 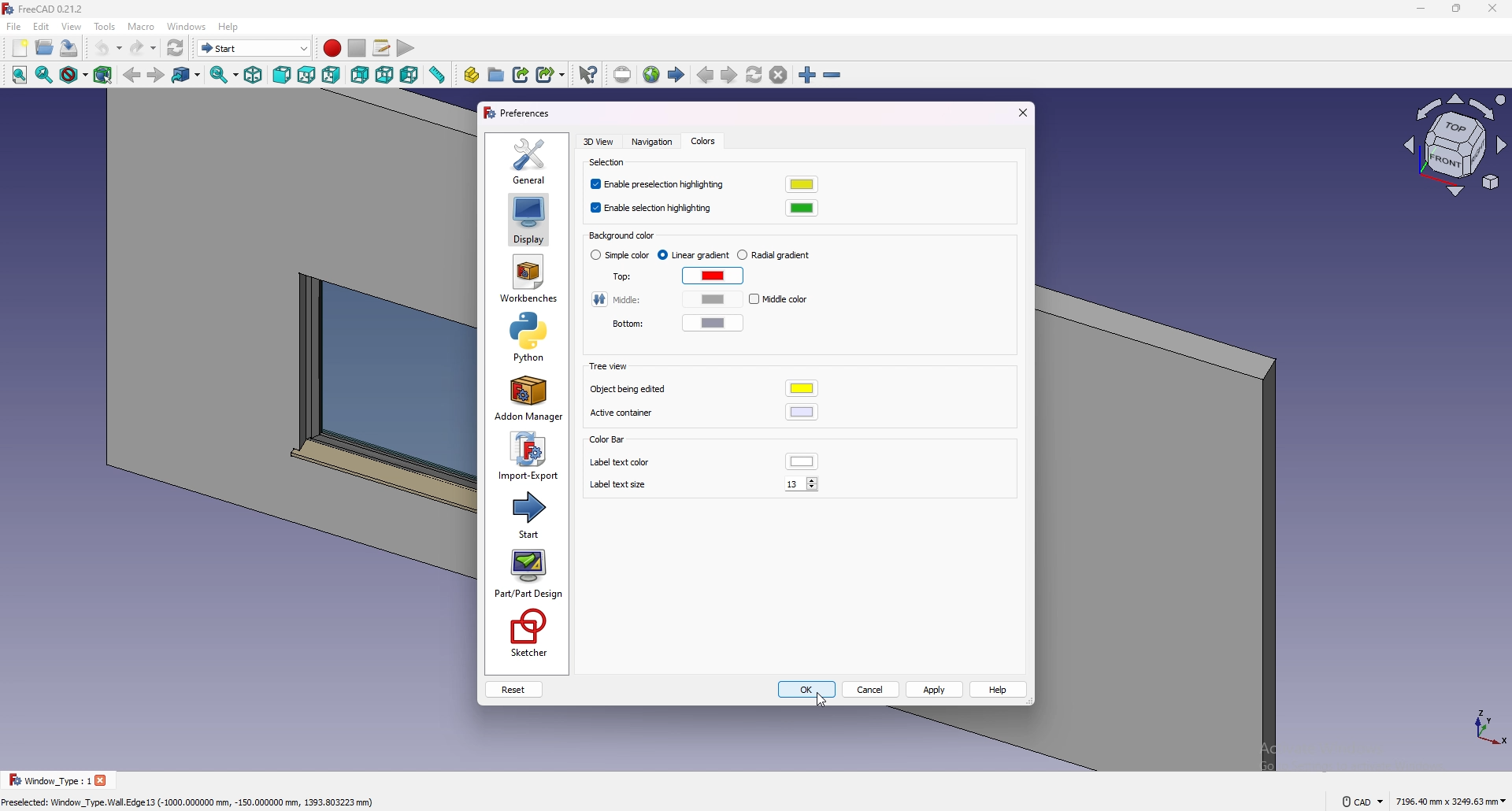 What do you see at coordinates (44, 75) in the screenshot?
I see `fit selection` at bounding box center [44, 75].